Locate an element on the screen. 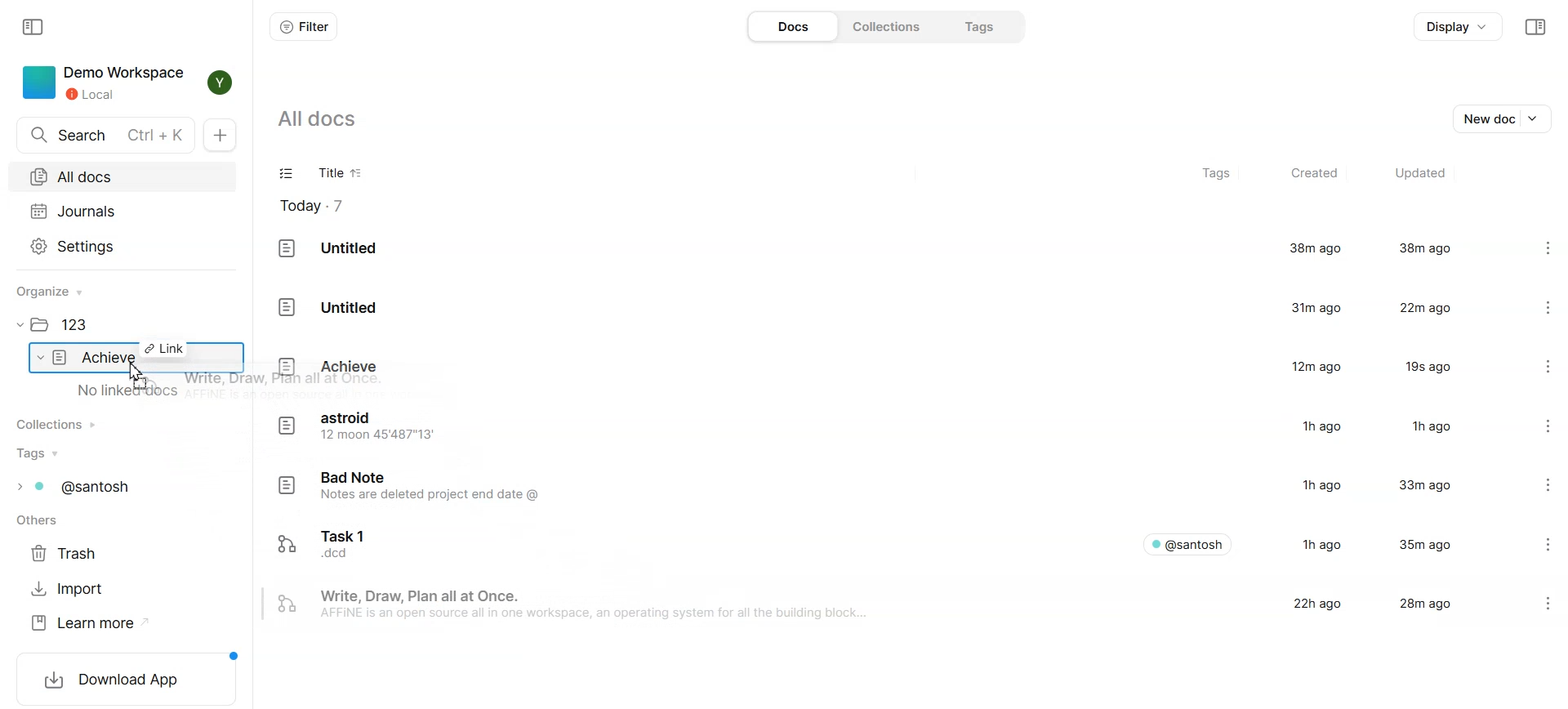 The image size is (1568, 709). Sort is located at coordinates (358, 174).